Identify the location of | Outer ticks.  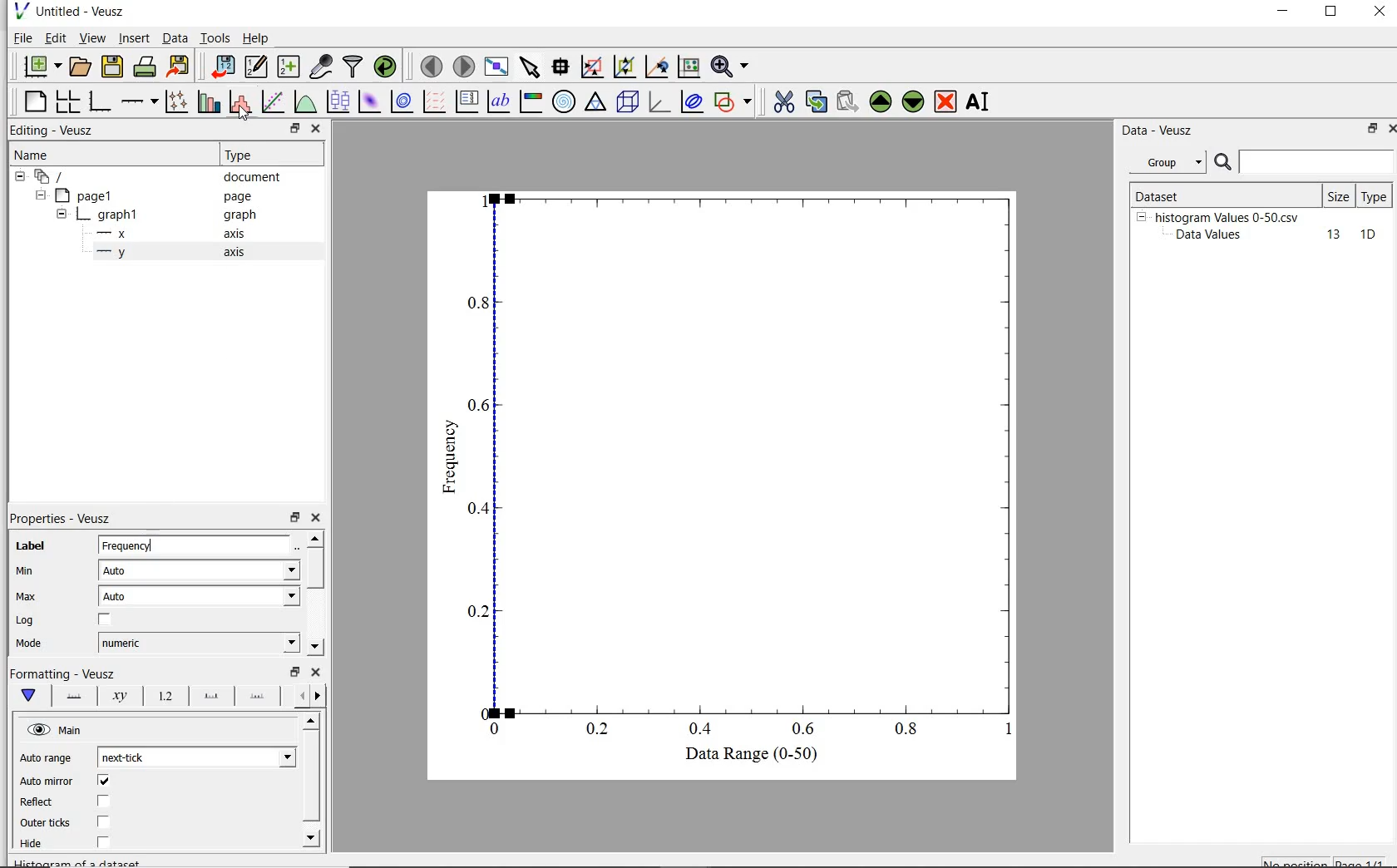
(47, 822).